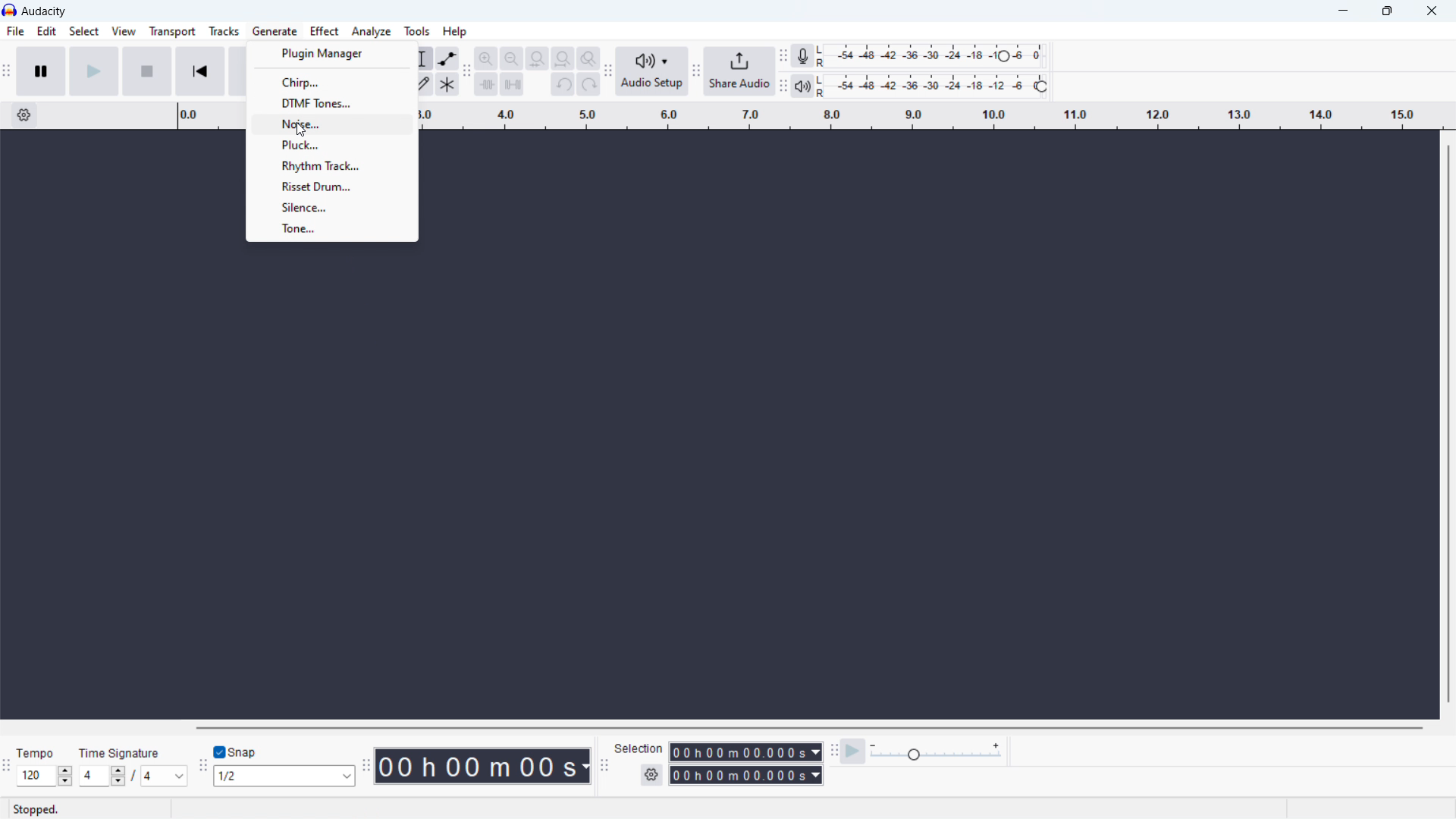 The width and height of the screenshot is (1456, 819). I want to click on envelop tool, so click(448, 59).